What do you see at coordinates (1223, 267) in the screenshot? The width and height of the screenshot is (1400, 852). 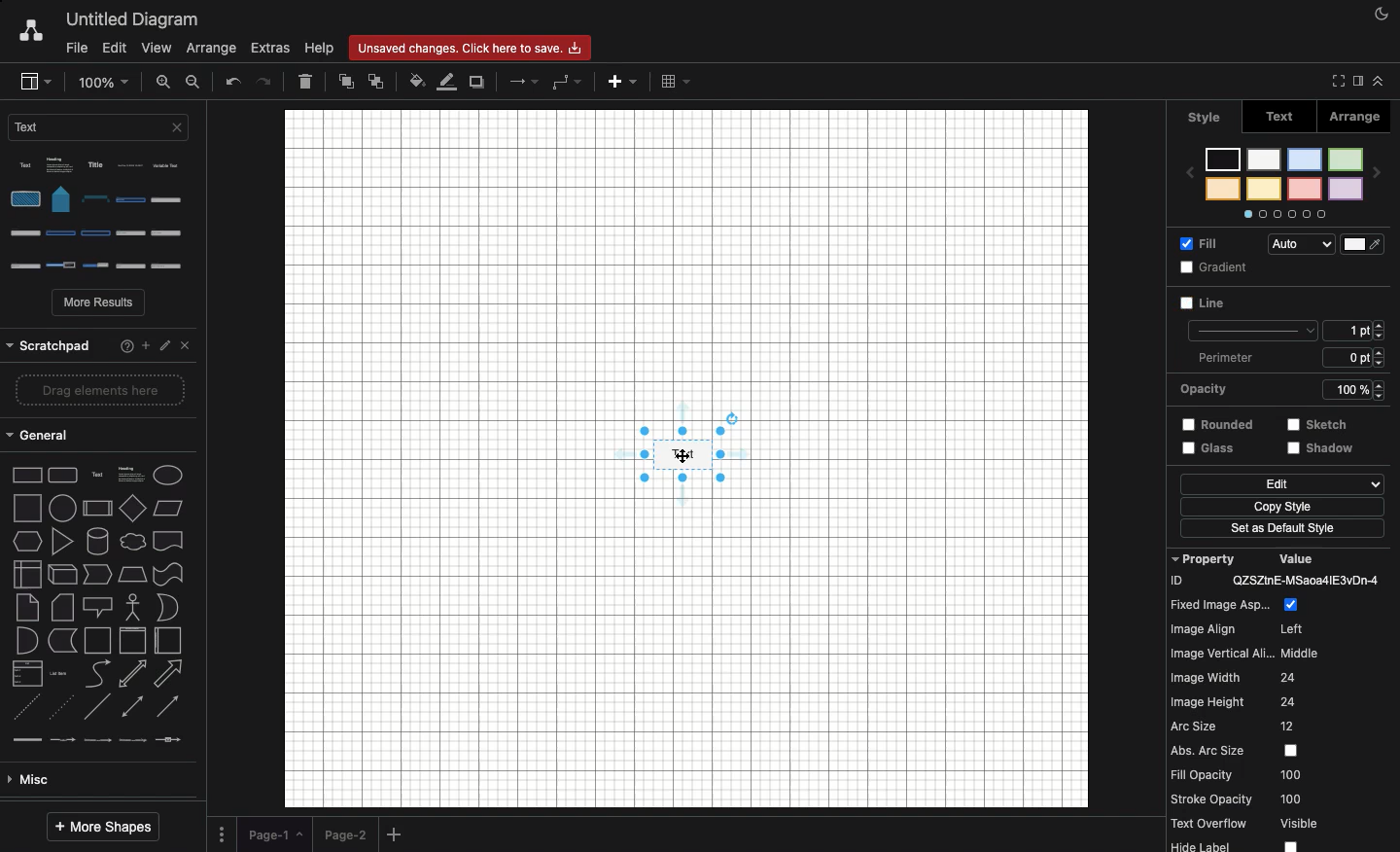 I see `Line` at bounding box center [1223, 267].